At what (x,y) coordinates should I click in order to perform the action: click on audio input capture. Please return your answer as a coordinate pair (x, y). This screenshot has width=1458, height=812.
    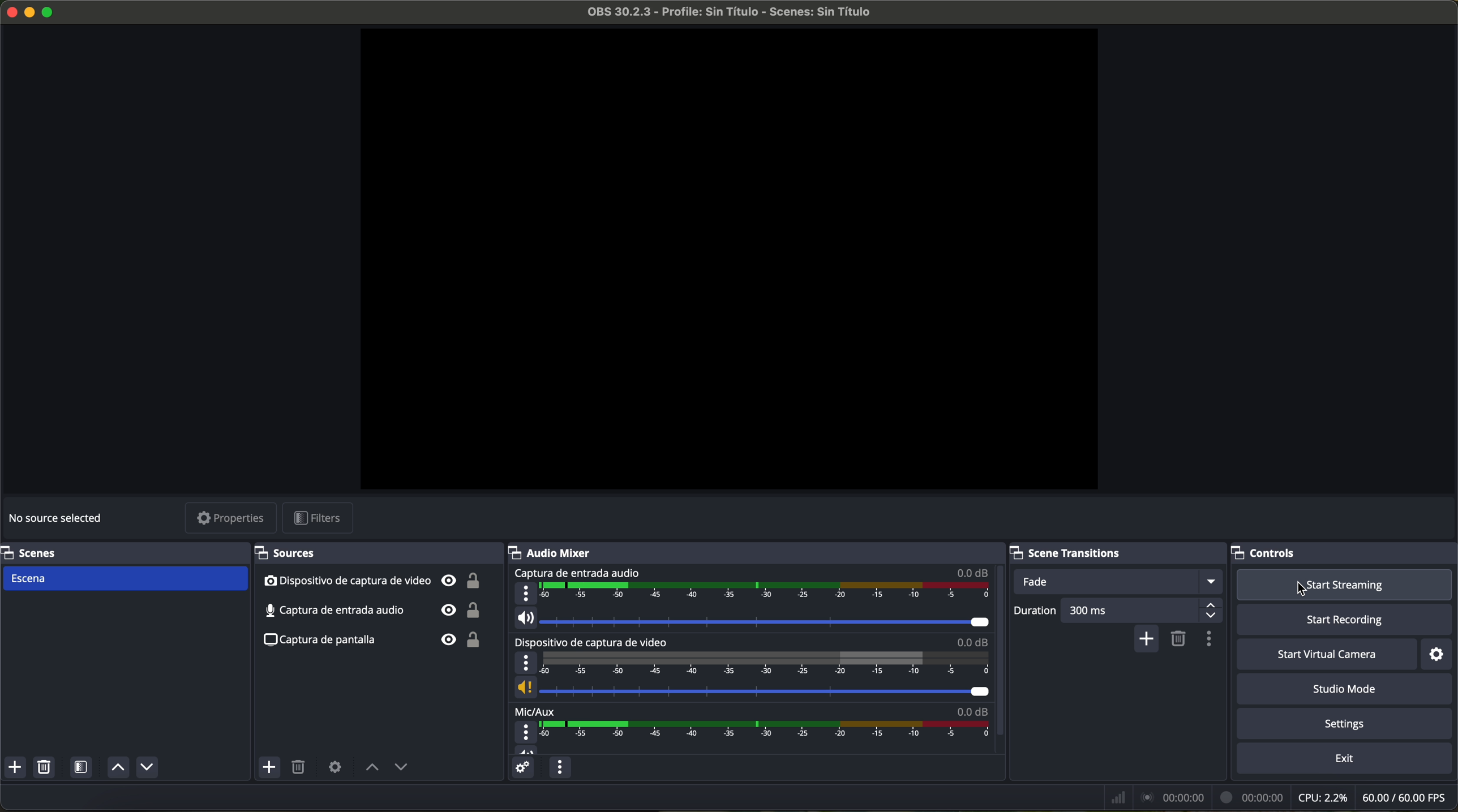
    Looking at the image, I should click on (748, 599).